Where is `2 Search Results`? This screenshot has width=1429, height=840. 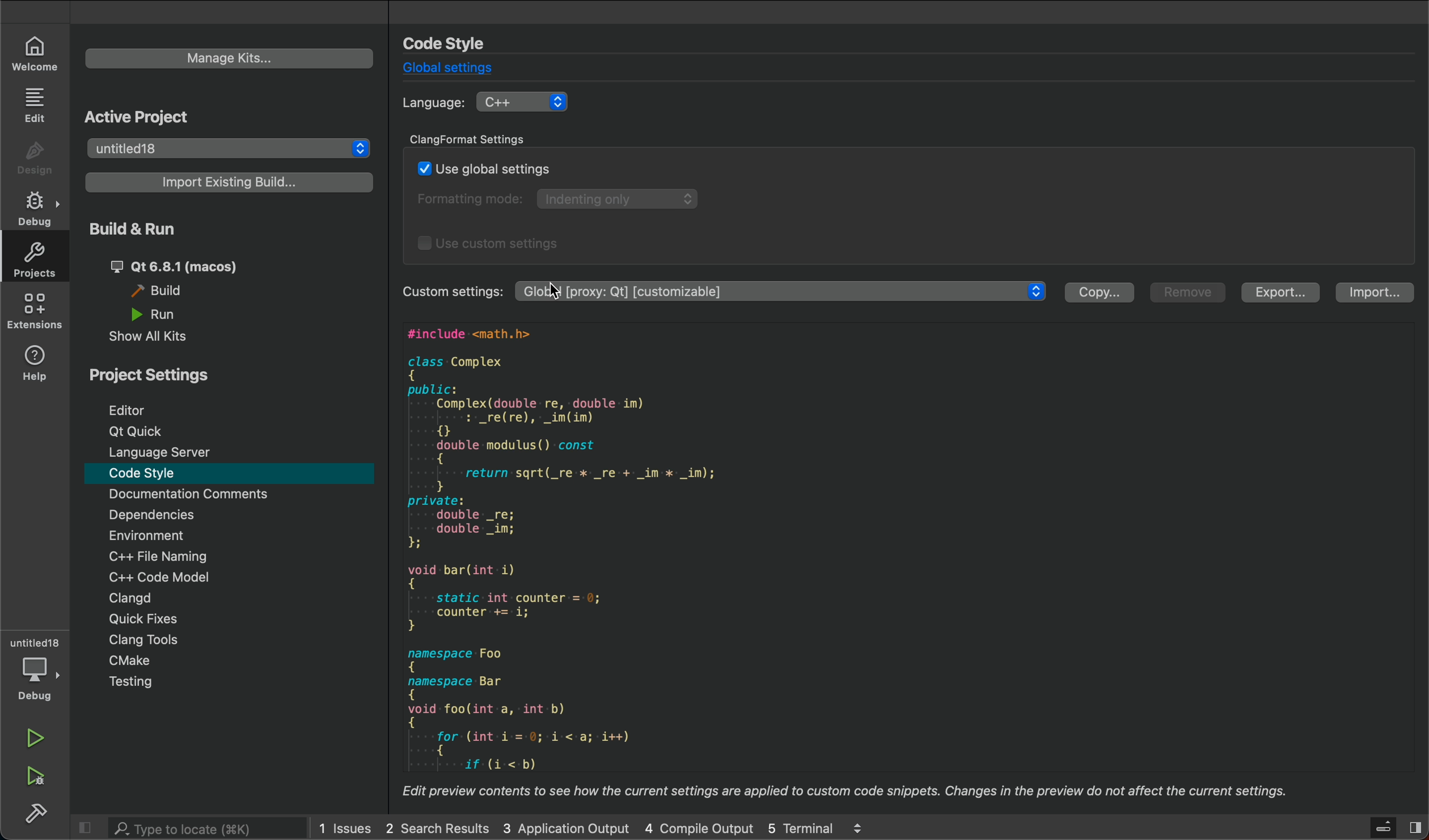 2 Search Results is located at coordinates (436, 826).